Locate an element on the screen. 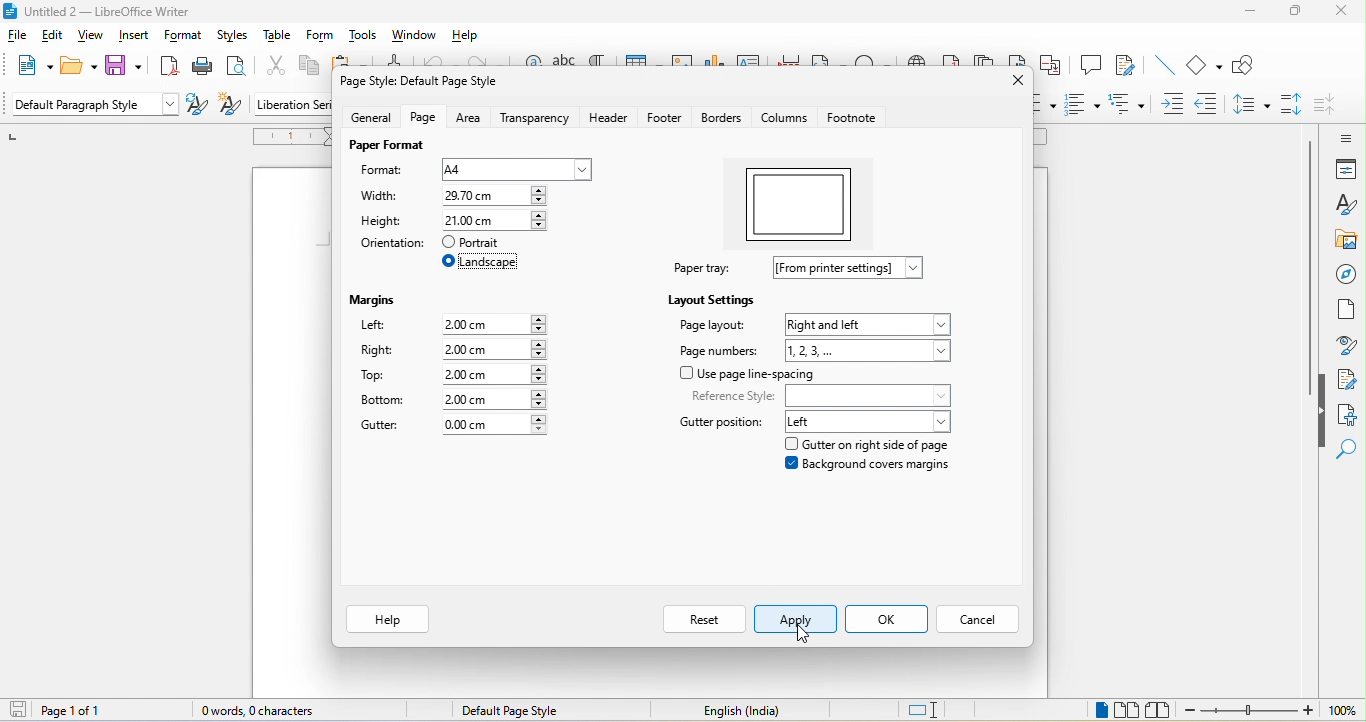 This screenshot has width=1366, height=722. book view is located at coordinates (1162, 710).